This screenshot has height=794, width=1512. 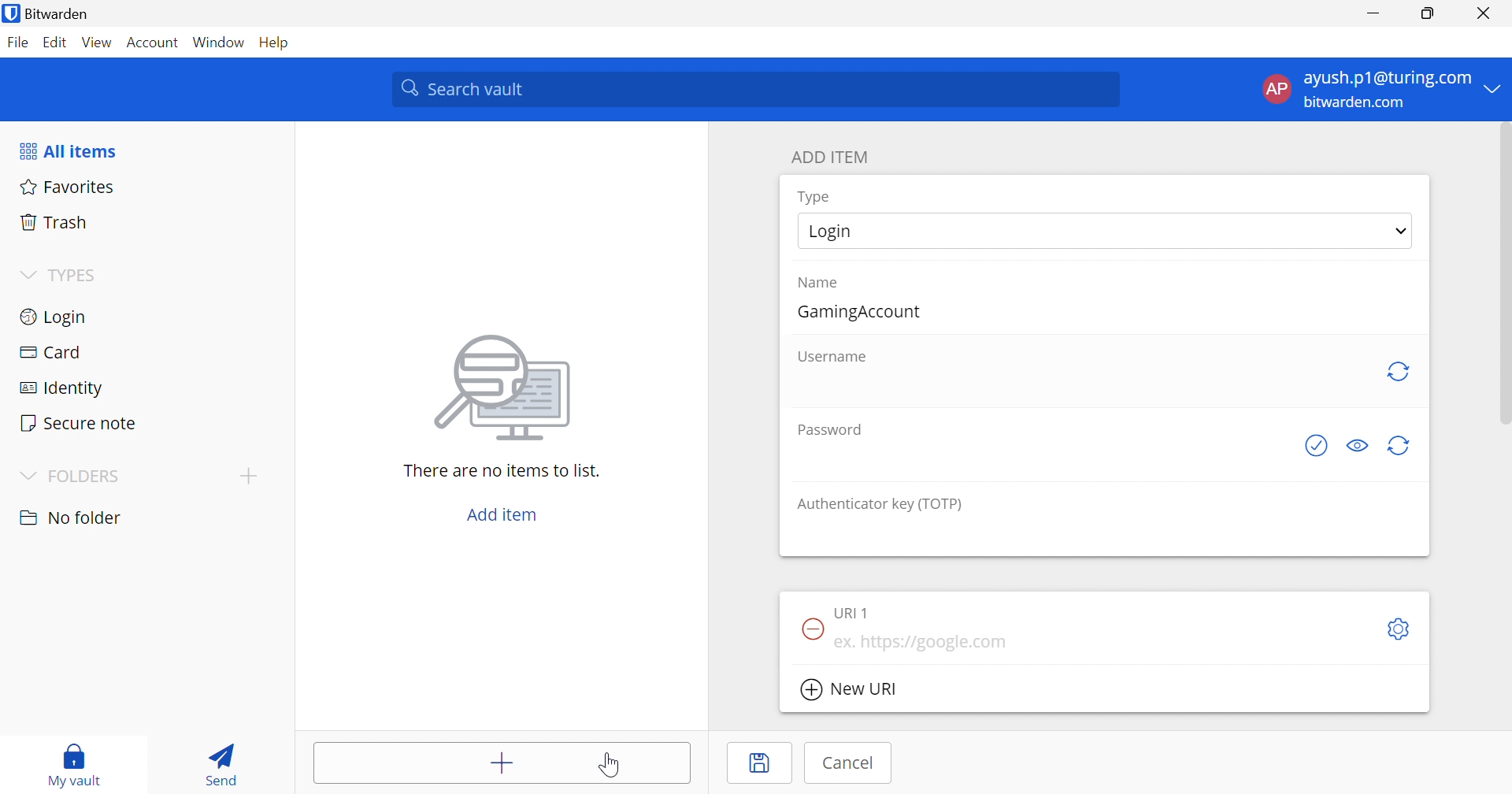 I want to click on Drop Down, so click(x=1497, y=87).